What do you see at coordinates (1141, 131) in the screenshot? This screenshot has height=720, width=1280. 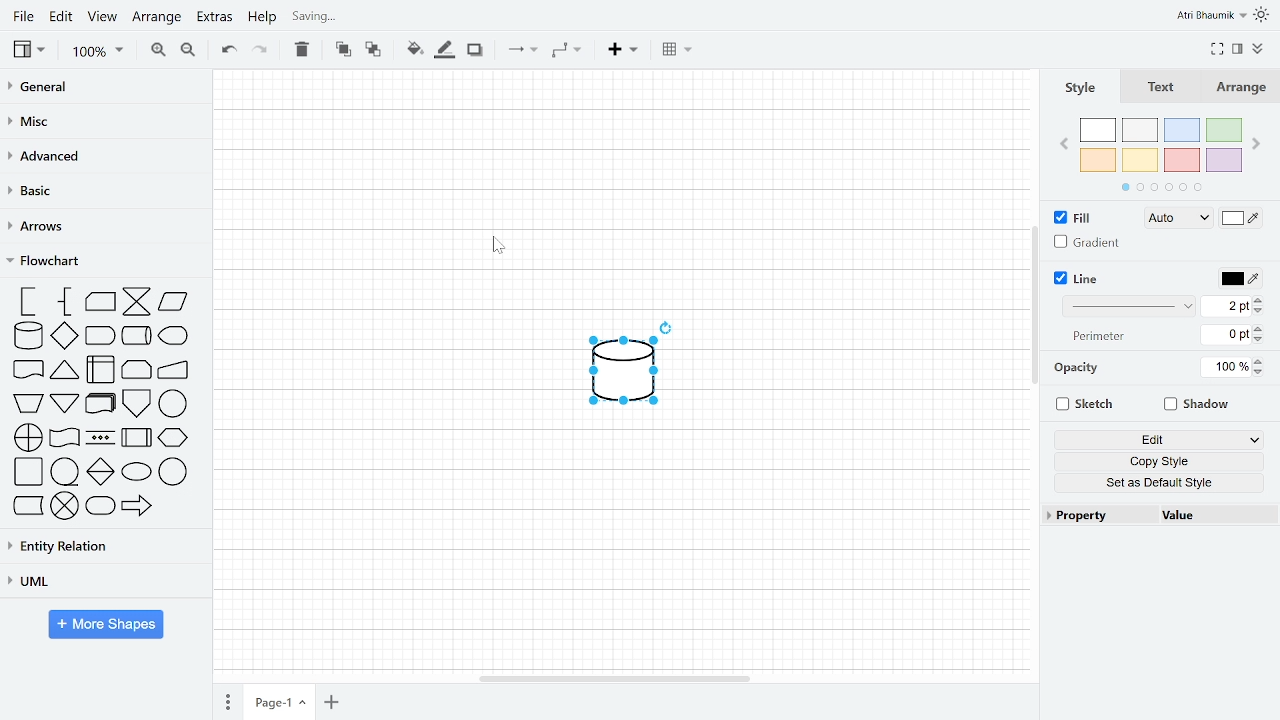 I see `ash` at bounding box center [1141, 131].